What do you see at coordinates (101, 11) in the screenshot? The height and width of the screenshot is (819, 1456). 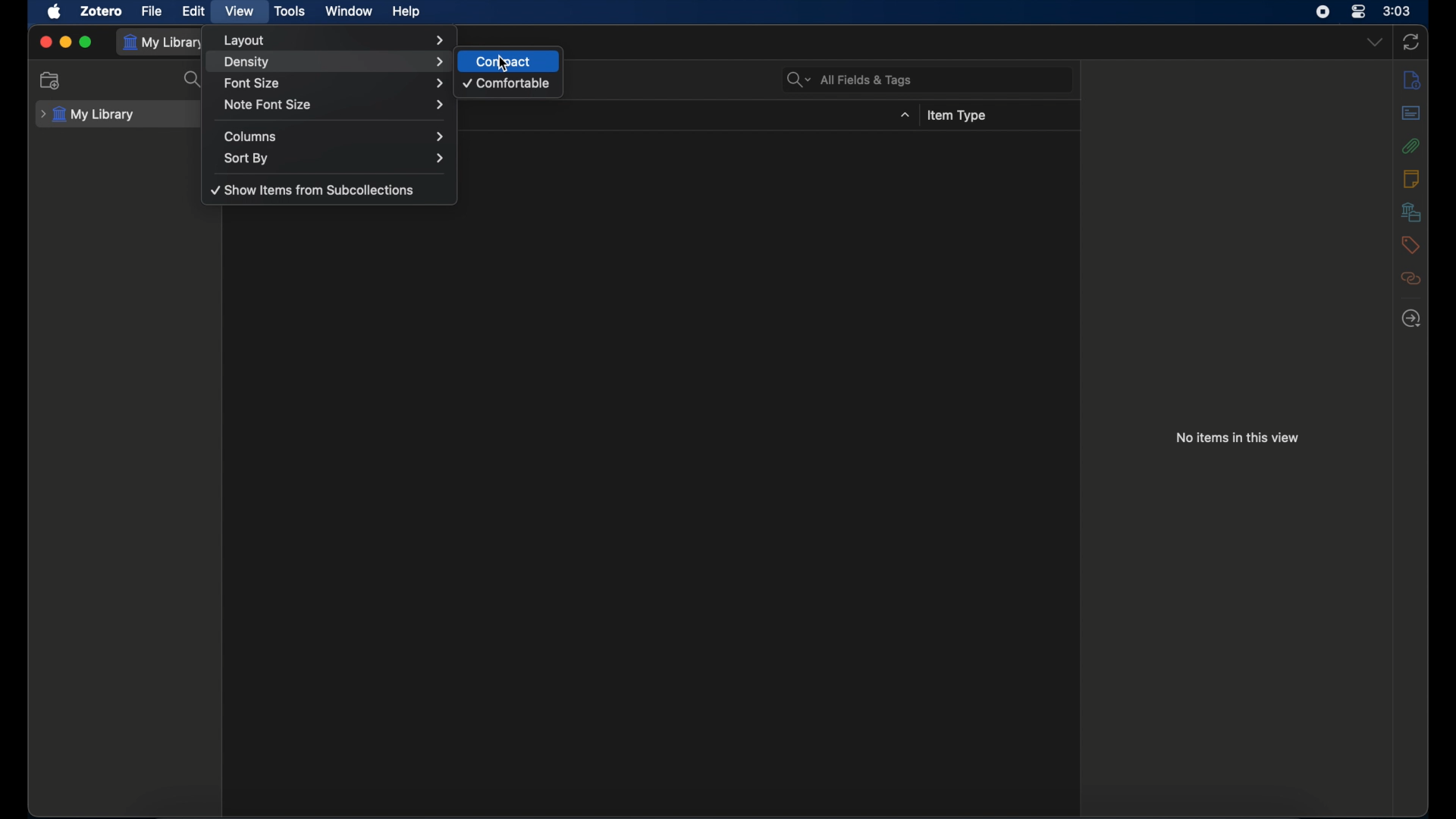 I see `zotero` at bounding box center [101, 11].